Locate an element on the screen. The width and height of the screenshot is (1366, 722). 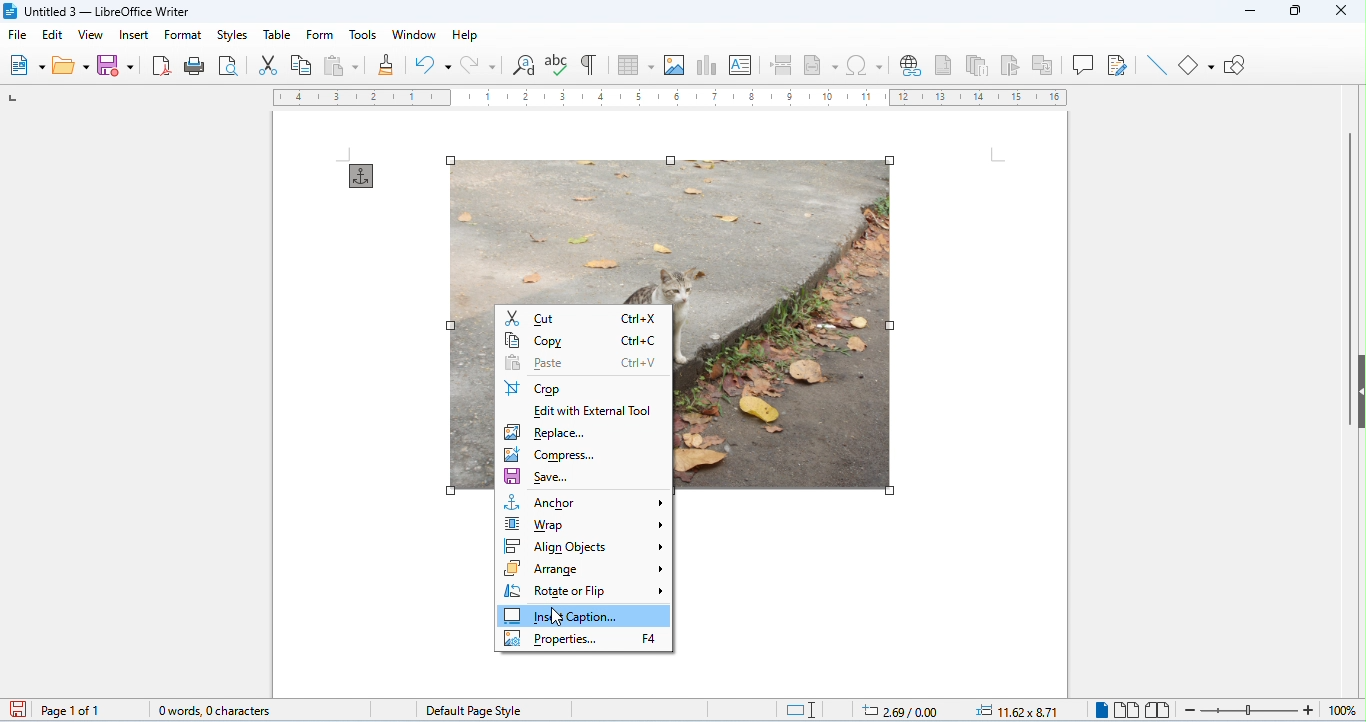
cut is located at coordinates (583, 317).